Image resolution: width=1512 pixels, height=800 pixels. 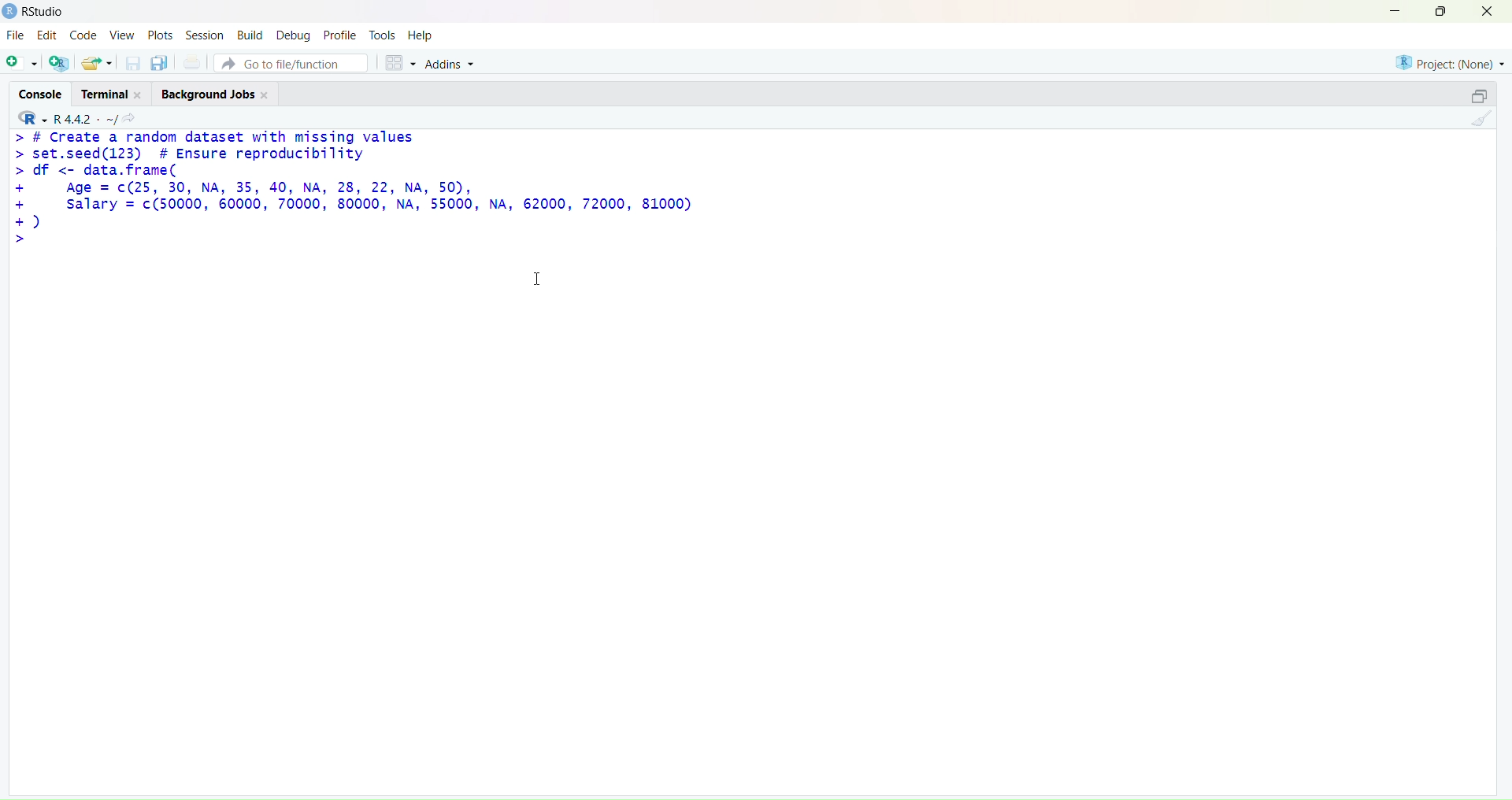 What do you see at coordinates (1449, 61) in the screenshot?
I see `project(None)` at bounding box center [1449, 61].